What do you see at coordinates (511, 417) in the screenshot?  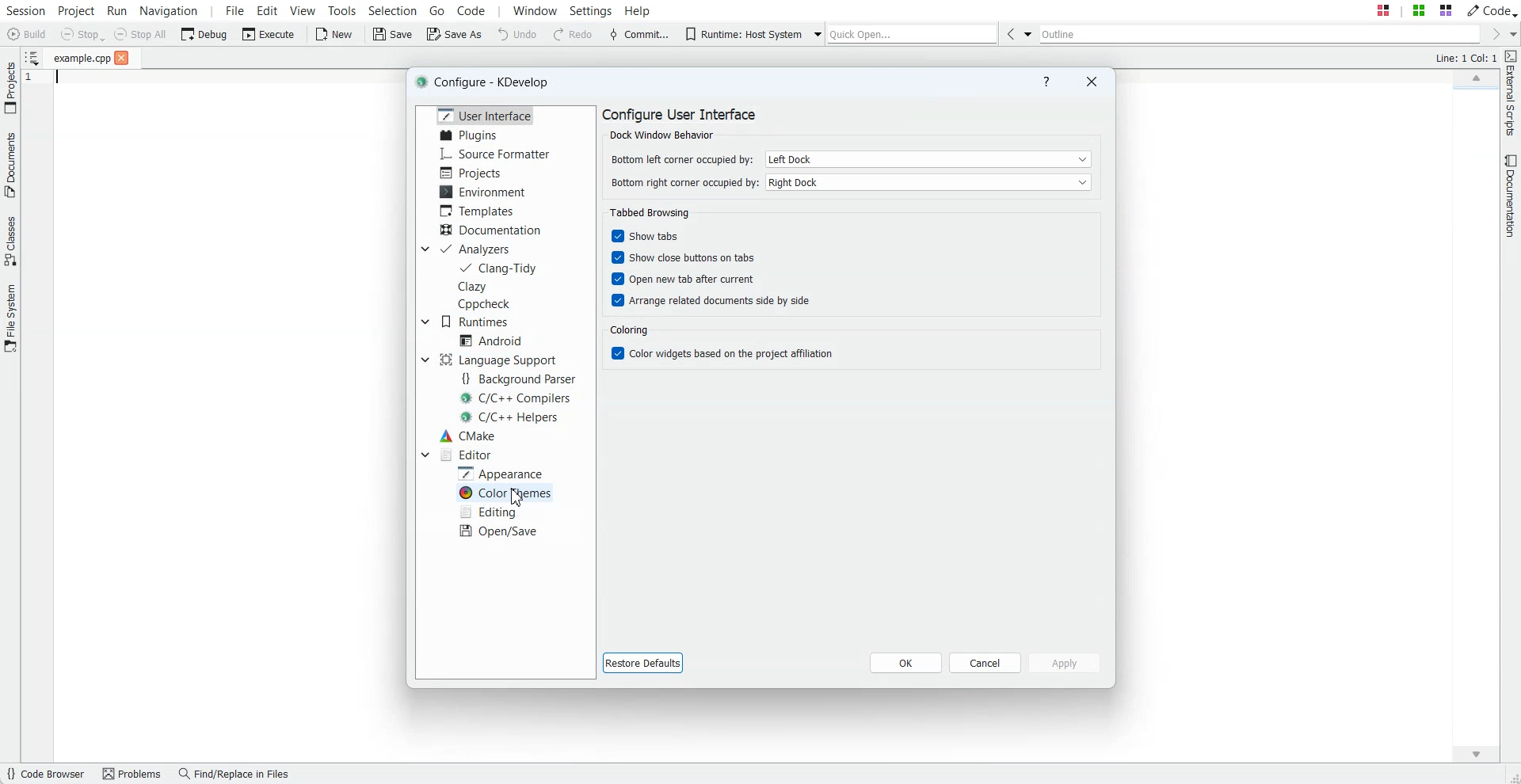 I see `C/C++ Helpers` at bounding box center [511, 417].